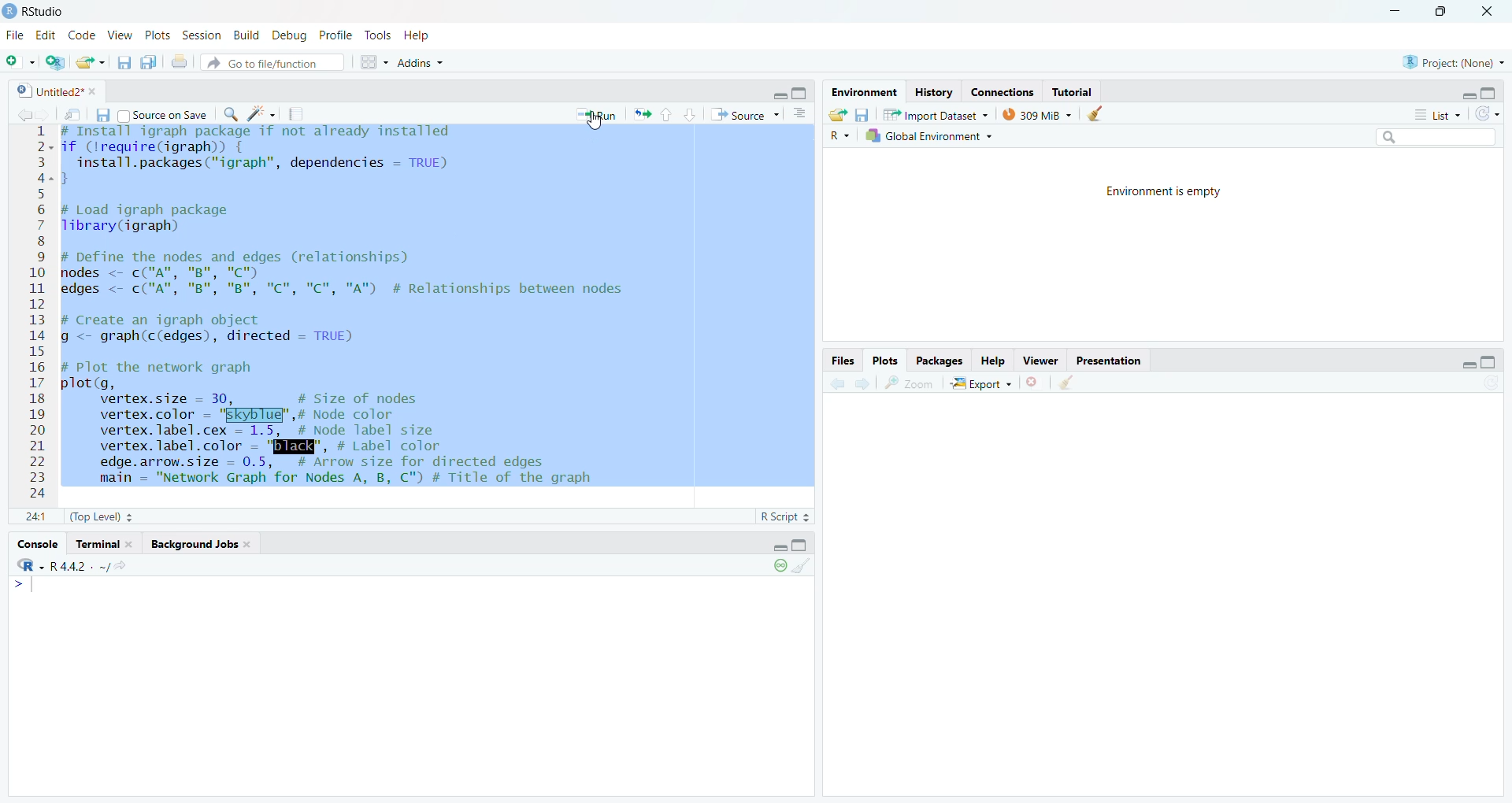  Describe the element at coordinates (1042, 361) in the screenshot. I see `Viewer` at that location.